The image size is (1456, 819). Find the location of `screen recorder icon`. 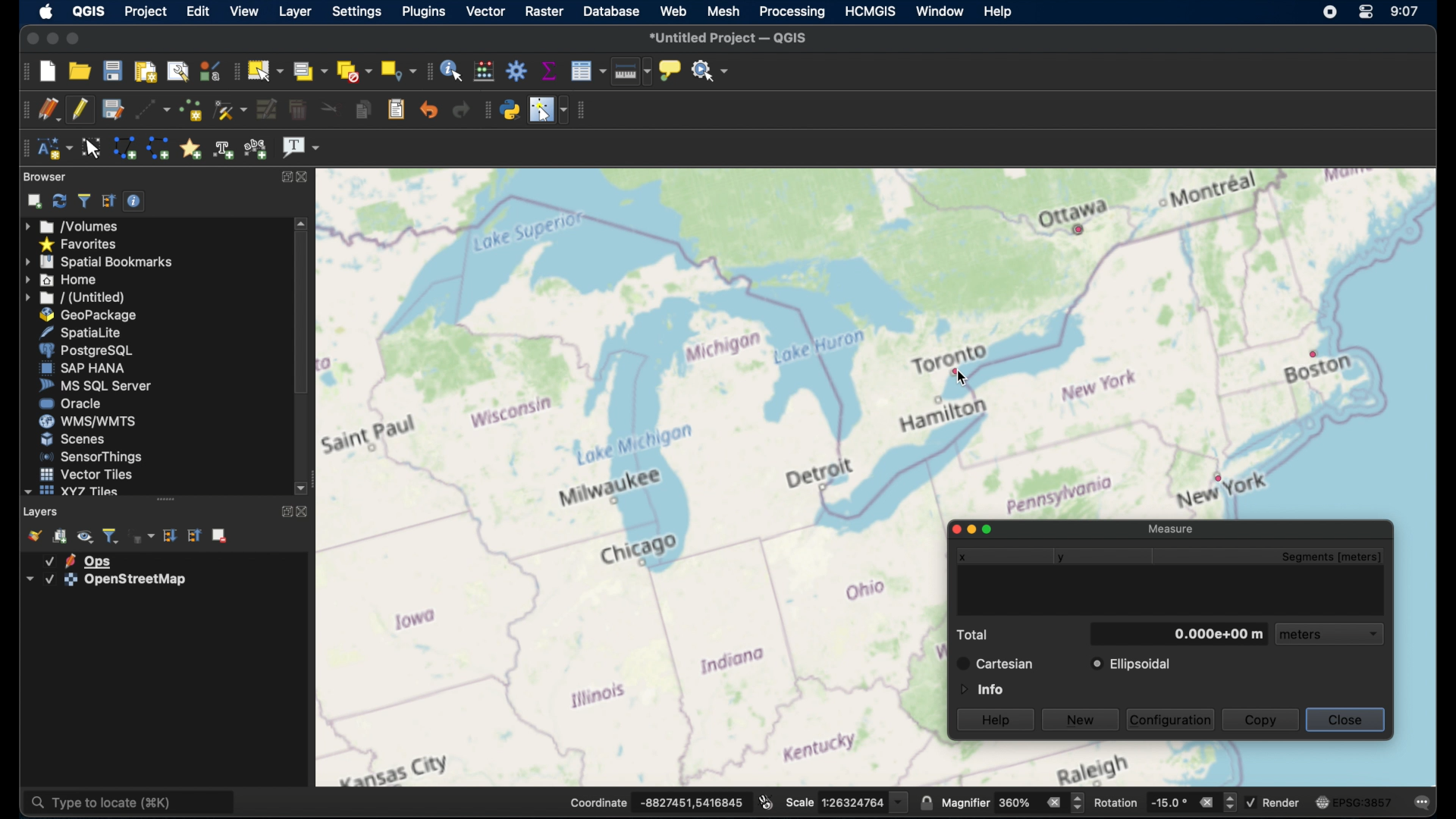

screen recorder icon is located at coordinates (1329, 12).